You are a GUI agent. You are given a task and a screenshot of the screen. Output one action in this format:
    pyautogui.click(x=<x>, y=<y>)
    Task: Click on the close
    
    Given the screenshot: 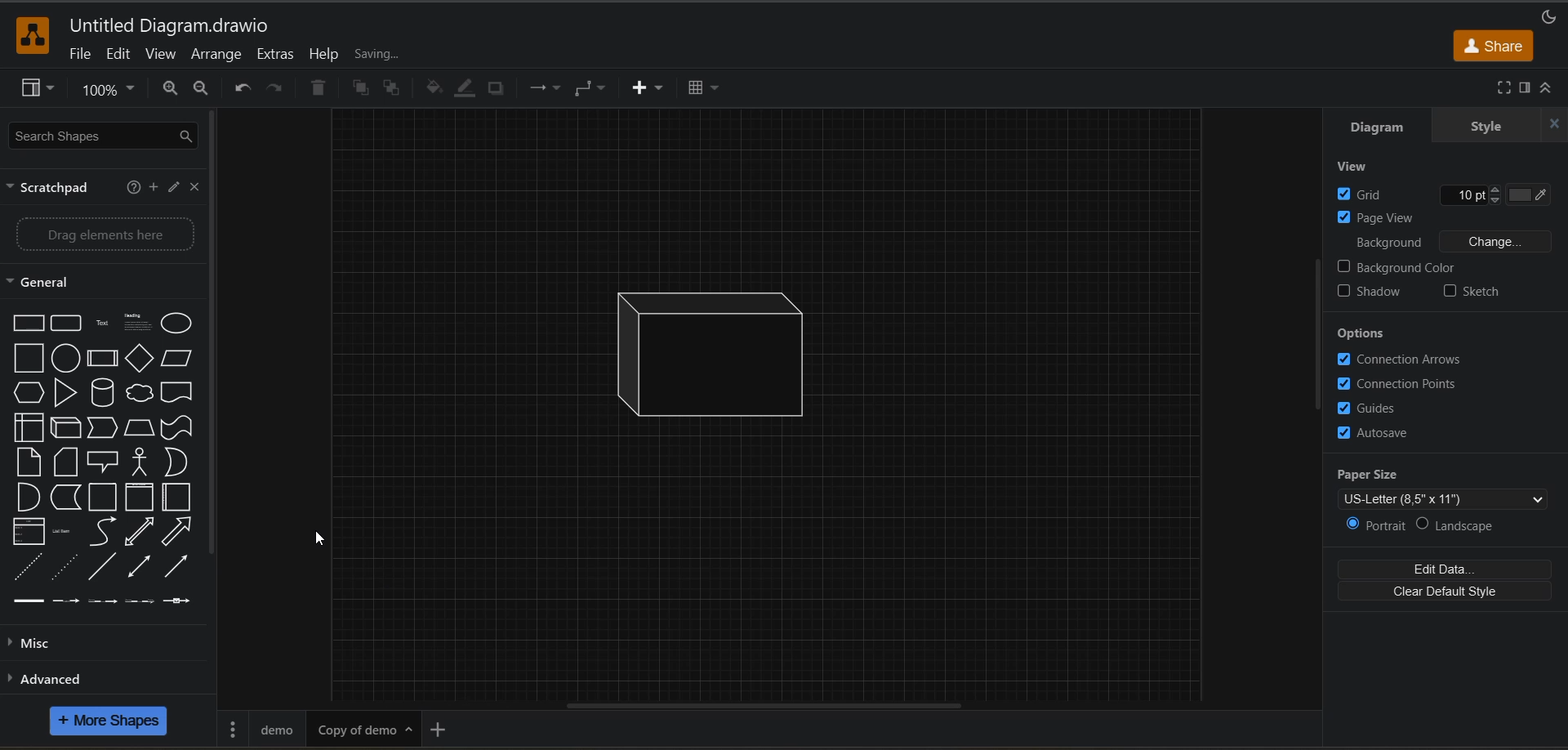 What is the action you would take?
    pyautogui.click(x=194, y=188)
    